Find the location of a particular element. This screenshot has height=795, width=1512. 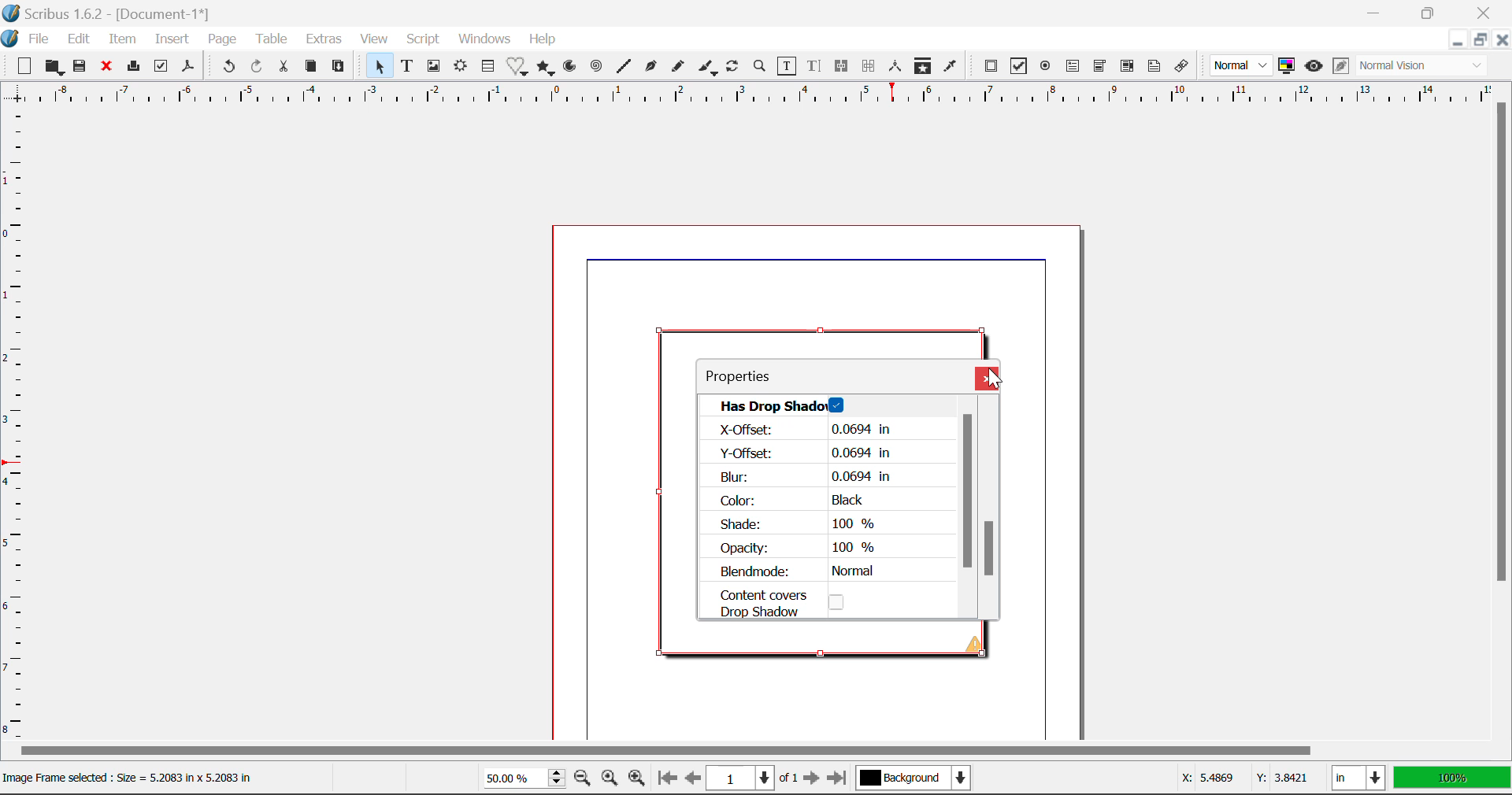

Text Annotation is located at coordinates (1154, 68).